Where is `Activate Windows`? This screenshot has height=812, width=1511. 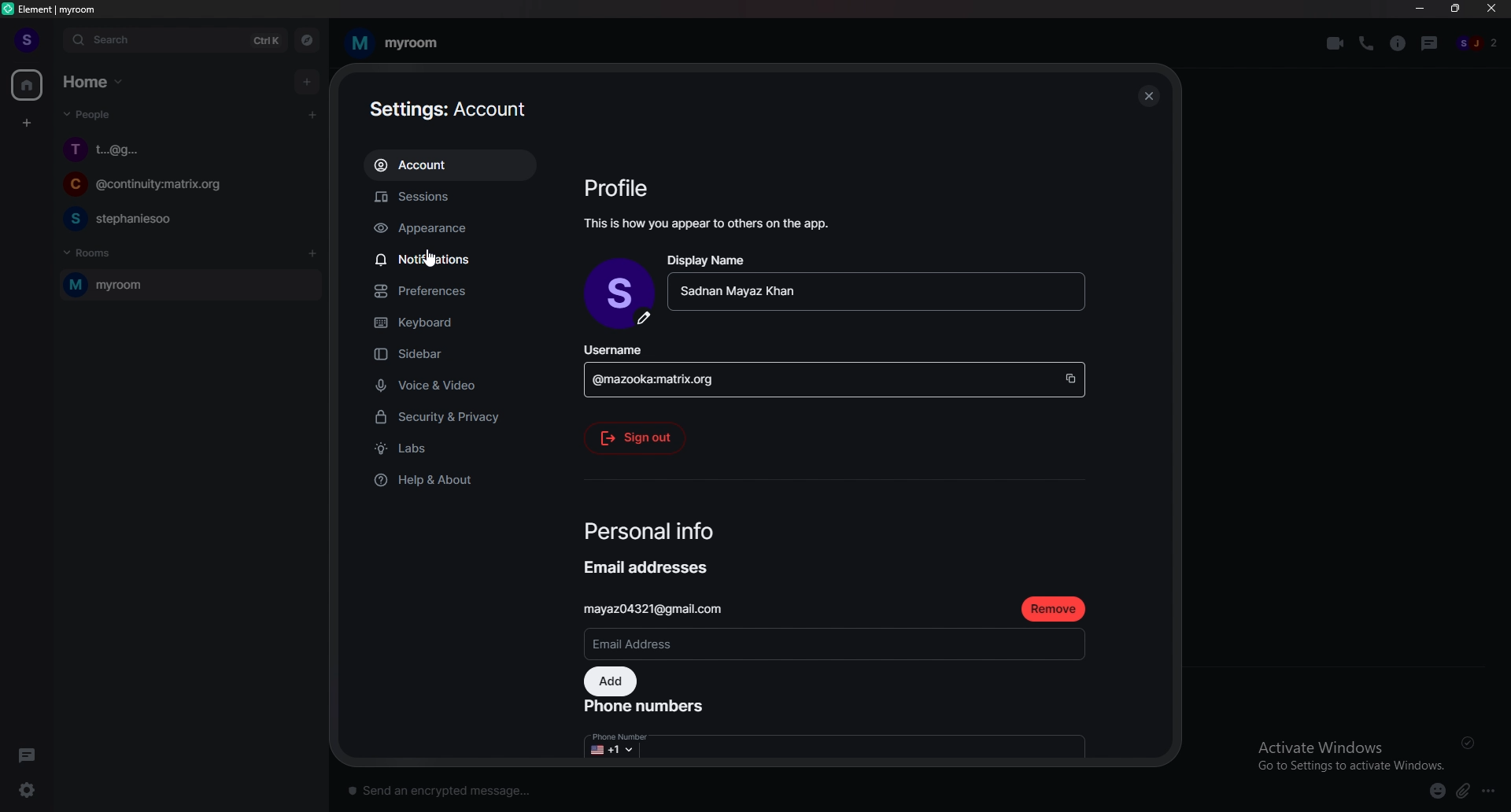
Activate Windows is located at coordinates (1349, 750).